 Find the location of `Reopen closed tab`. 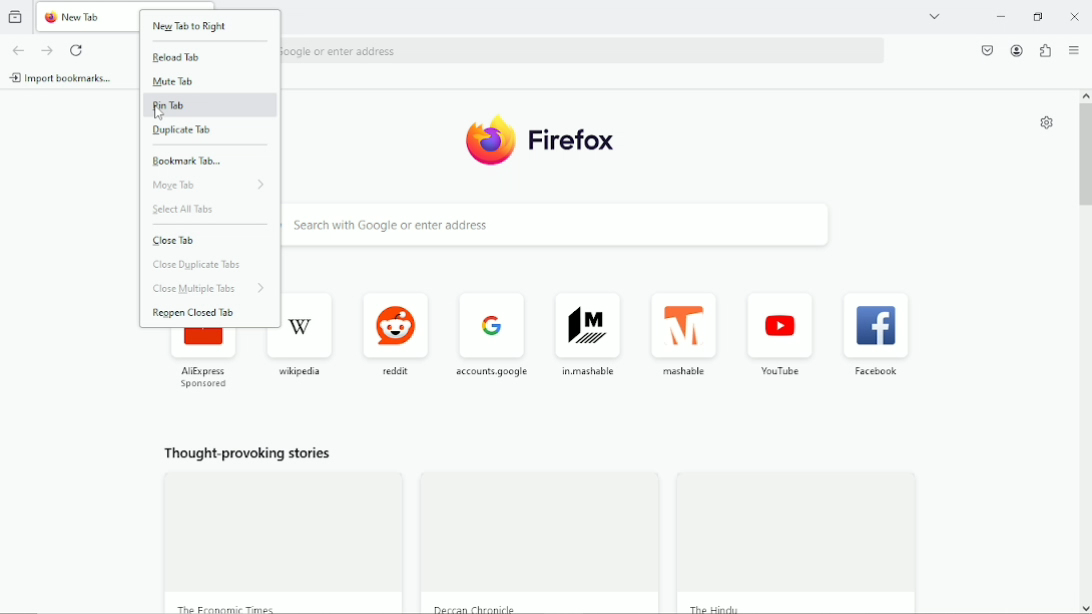

Reopen closed tab is located at coordinates (197, 313).